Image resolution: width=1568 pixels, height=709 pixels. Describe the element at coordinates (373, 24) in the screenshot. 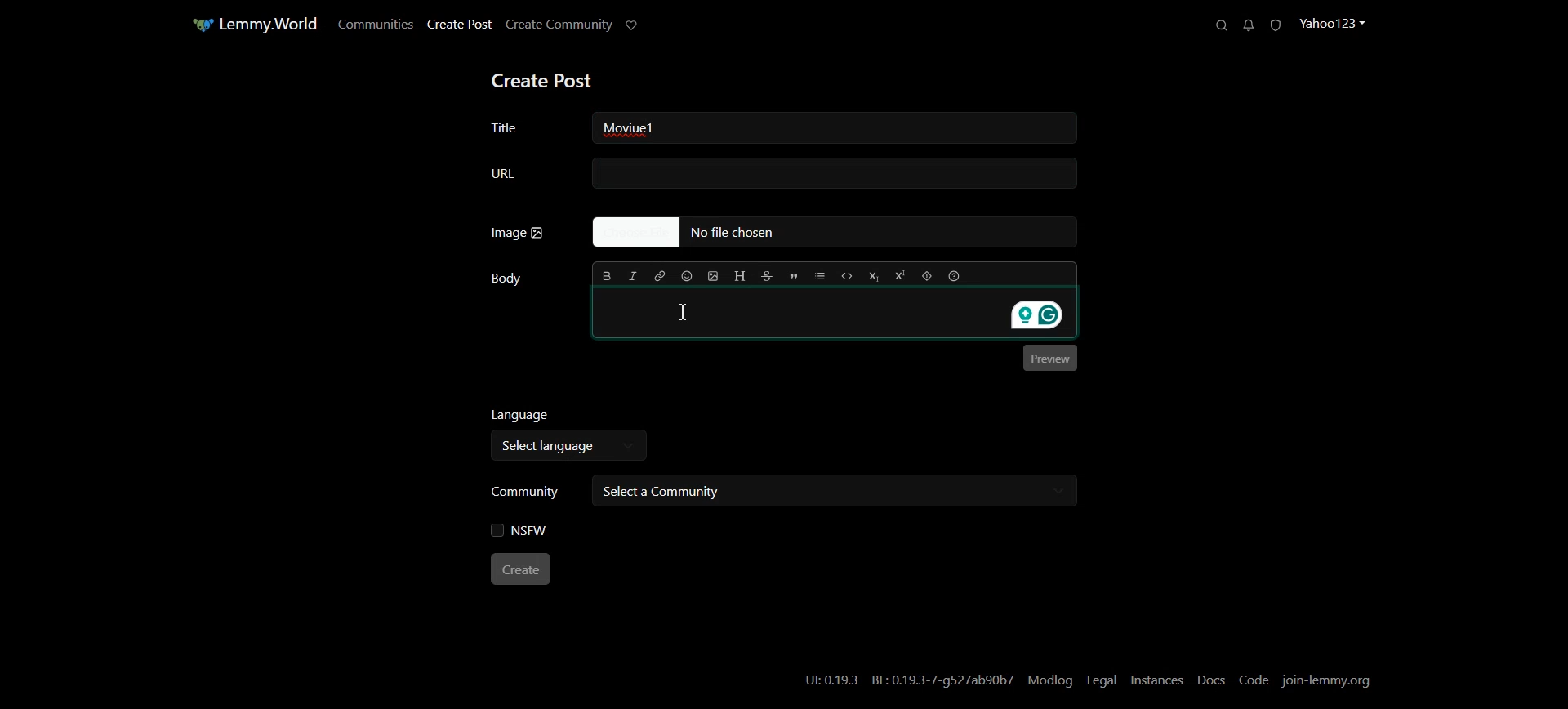

I see `Communities` at that location.